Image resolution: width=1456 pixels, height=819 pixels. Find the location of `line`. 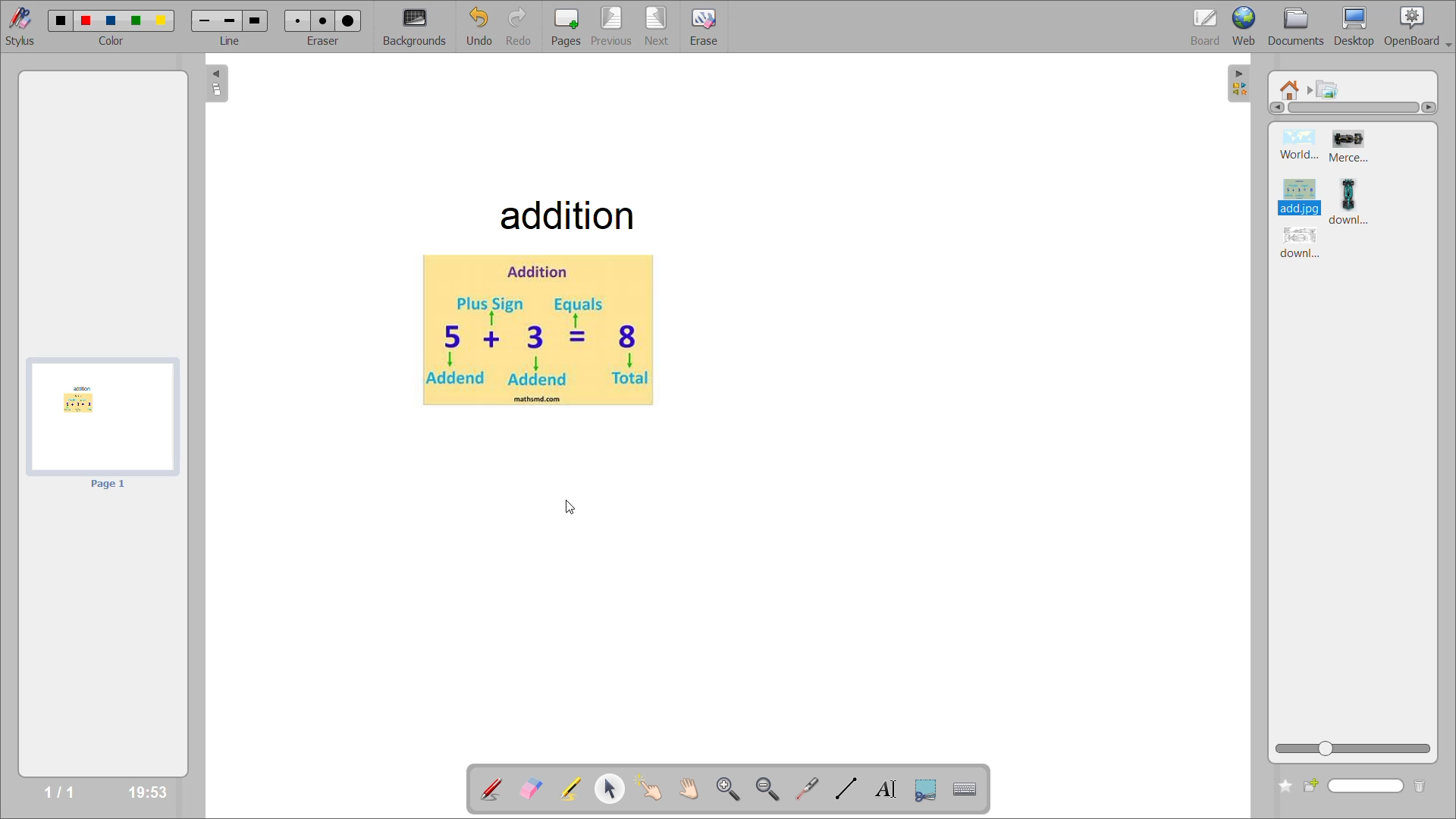

line is located at coordinates (231, 40).